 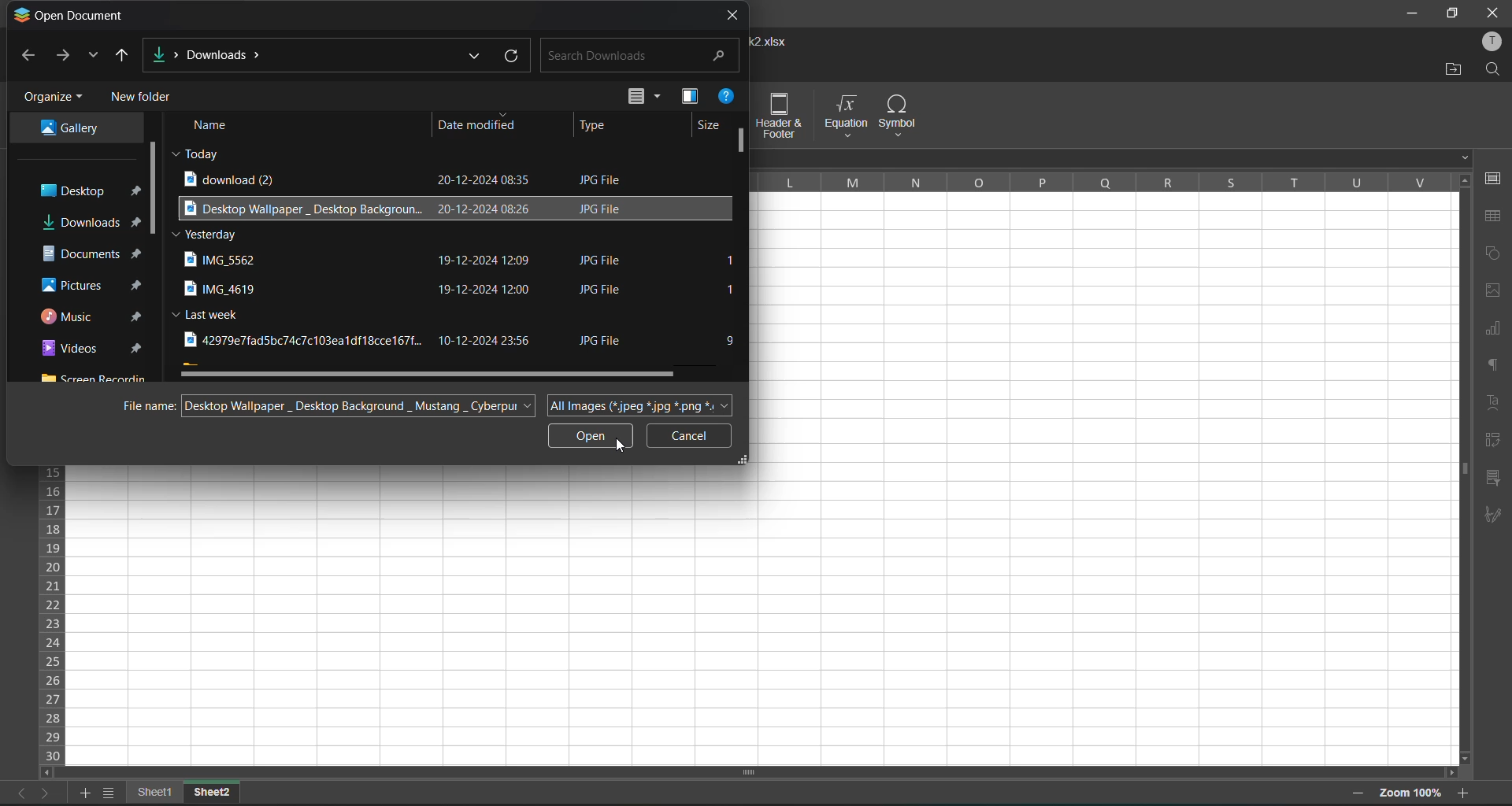 What do you see at coordinates (92, 314) in the screenshot?
I see `music` at bounding box center [92, 314].